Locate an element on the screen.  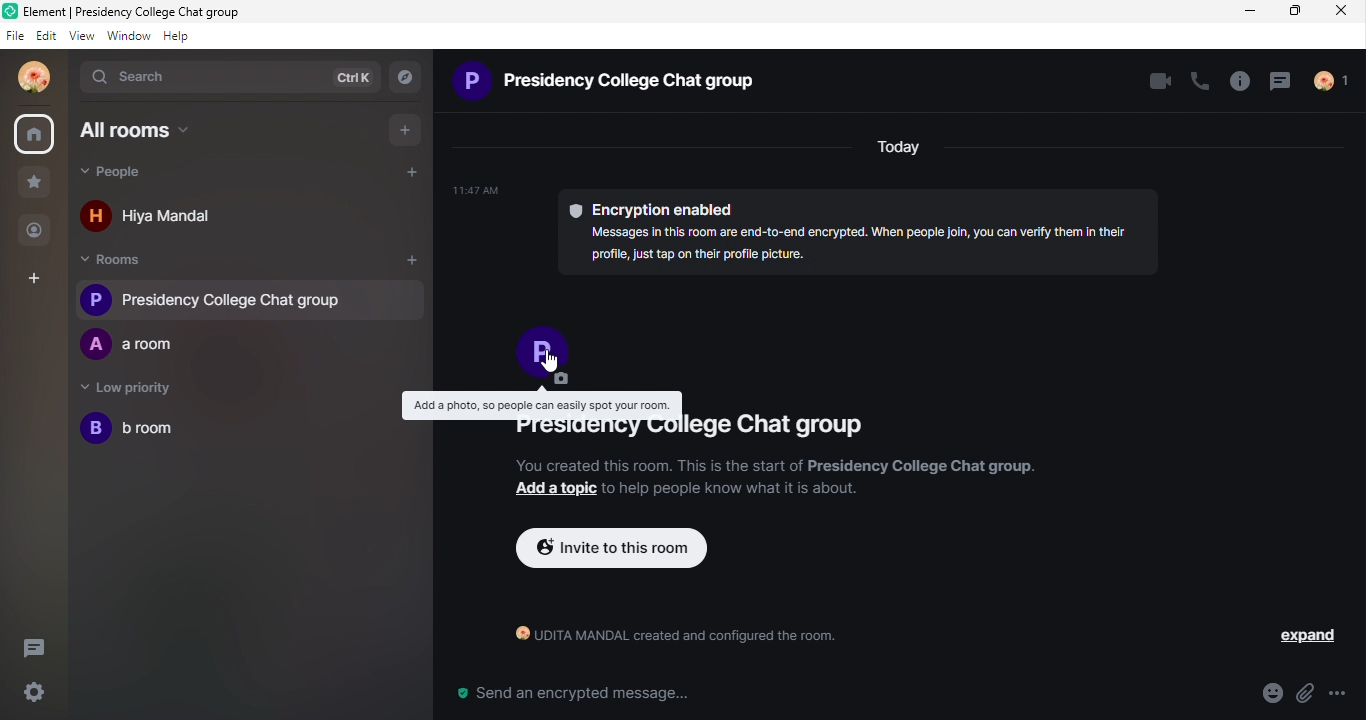
attachment is located at coordinates (1307, 694).